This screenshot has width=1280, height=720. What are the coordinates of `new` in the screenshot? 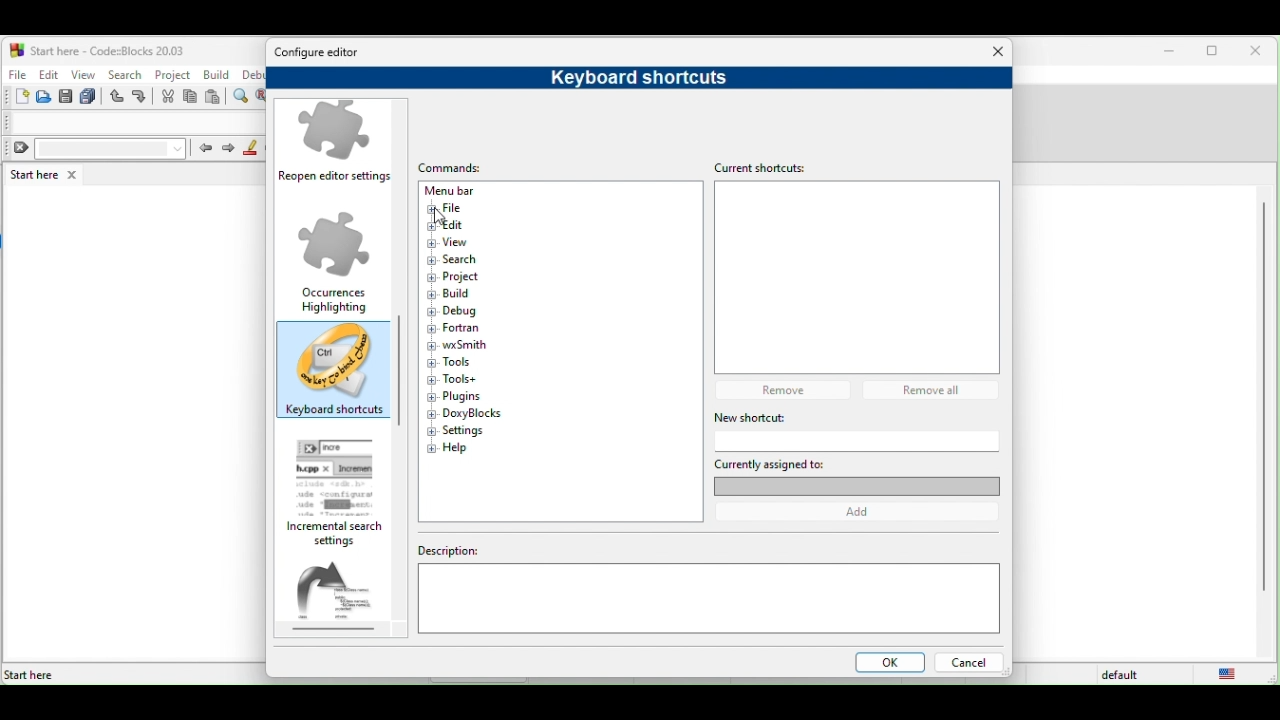 It's located at (16, 97).